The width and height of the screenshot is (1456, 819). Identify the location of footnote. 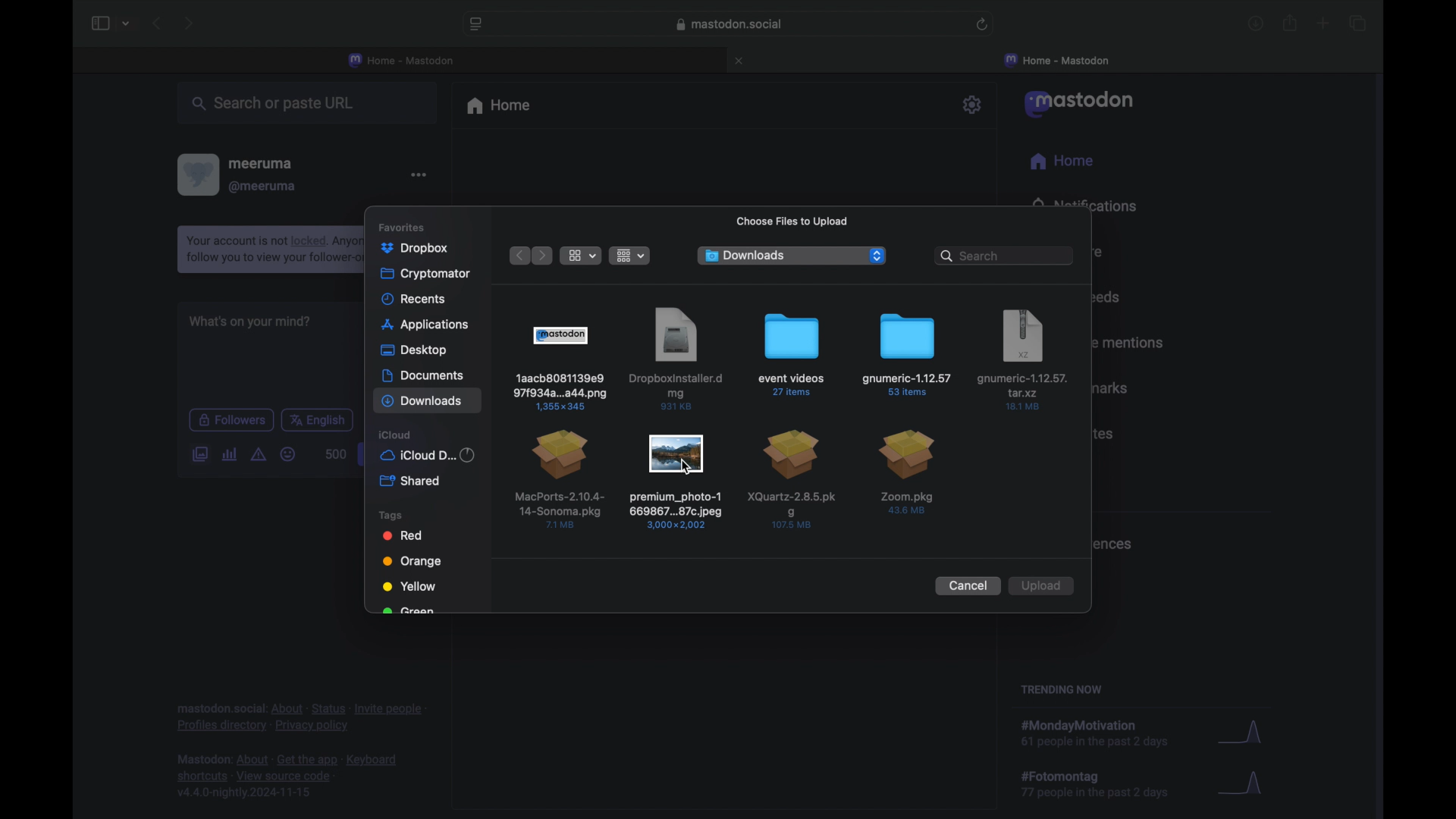
(300, 717).